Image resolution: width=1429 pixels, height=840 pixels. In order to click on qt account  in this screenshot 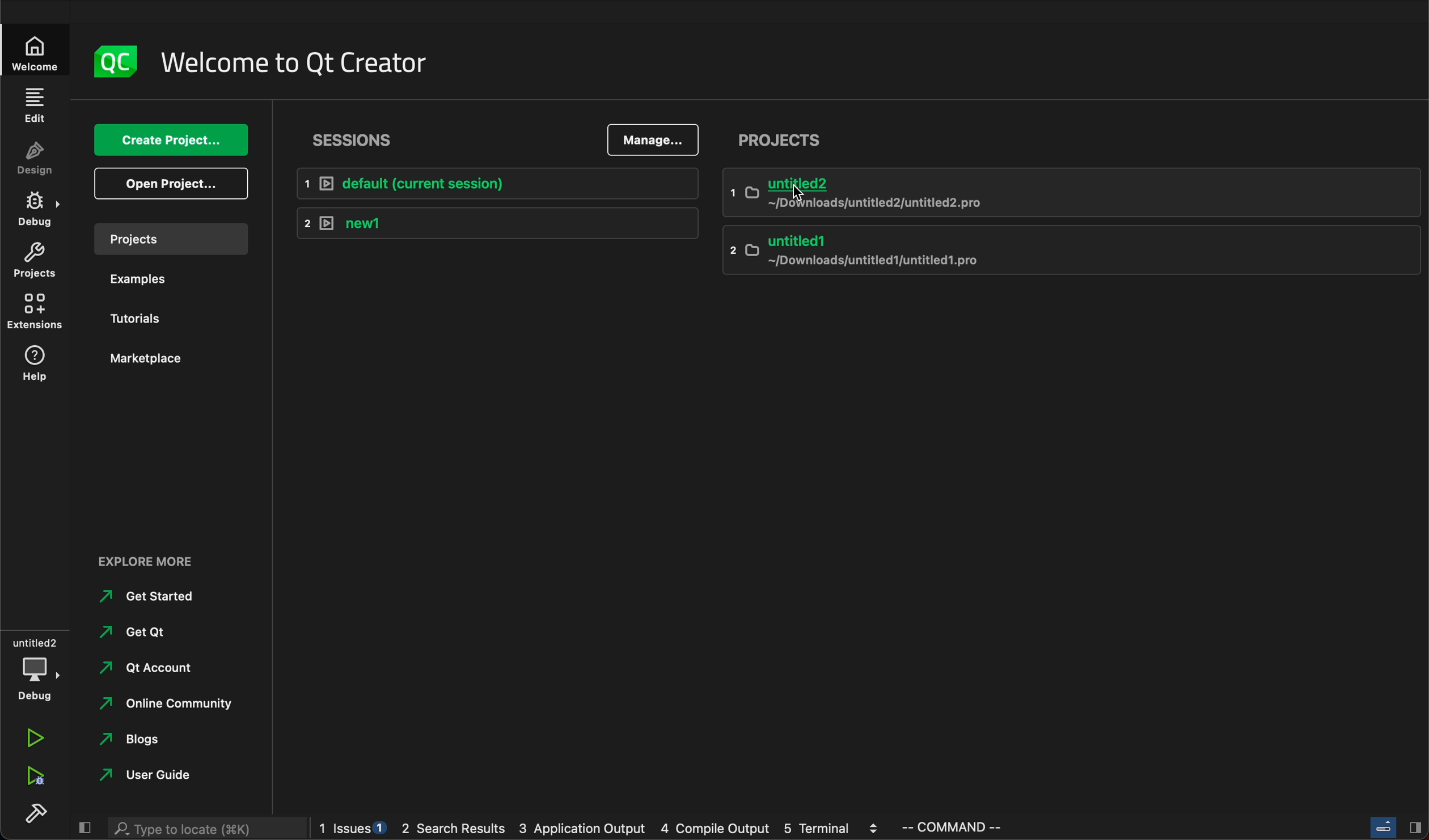, I will do `click(158, 668)`.